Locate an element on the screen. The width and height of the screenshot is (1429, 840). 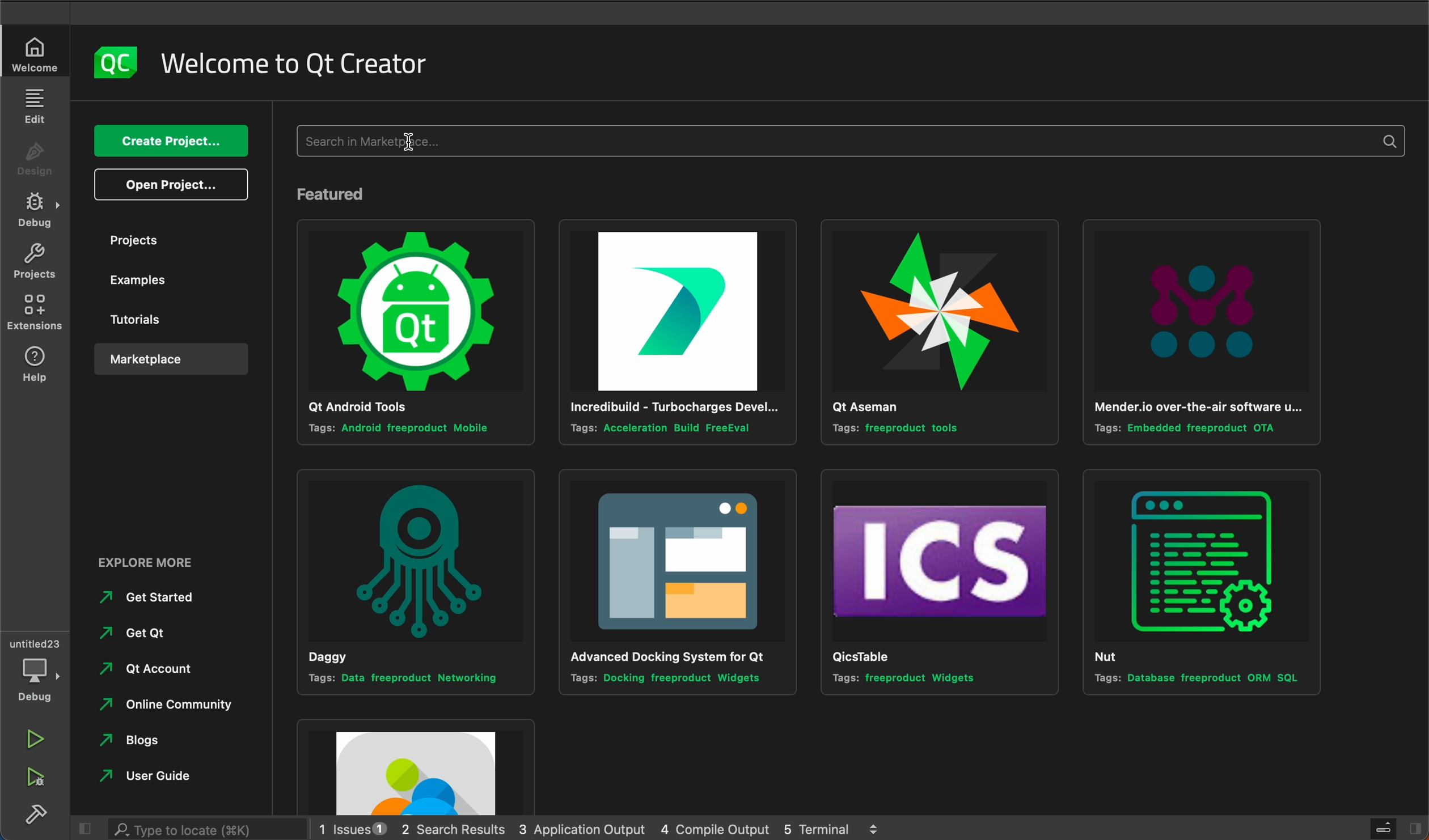
mouse pointer is located at coordinates (412, 145).